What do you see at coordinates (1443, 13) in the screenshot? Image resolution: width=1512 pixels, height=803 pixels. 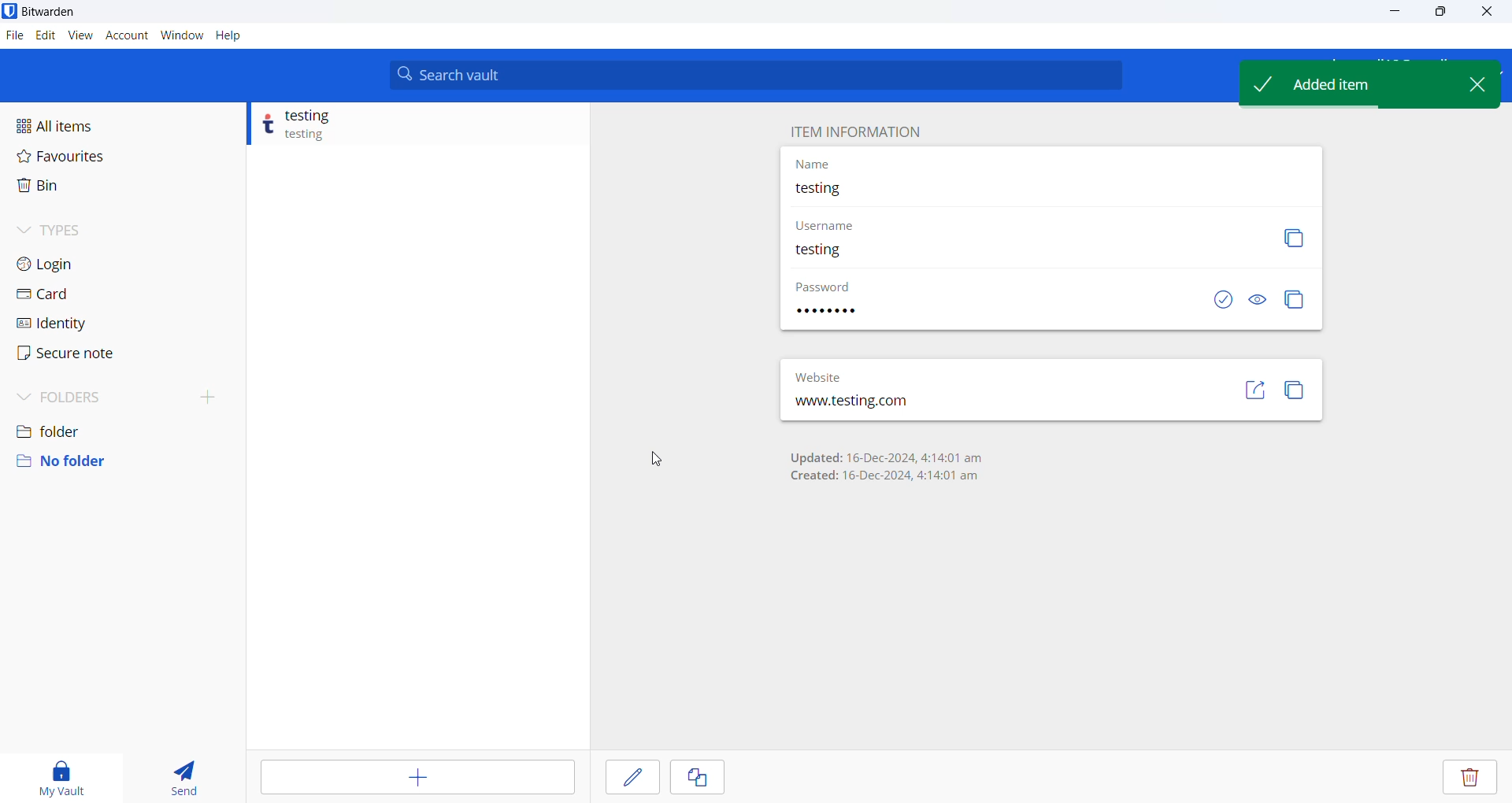 I see `maximize` at bounding box center [1443, 13].